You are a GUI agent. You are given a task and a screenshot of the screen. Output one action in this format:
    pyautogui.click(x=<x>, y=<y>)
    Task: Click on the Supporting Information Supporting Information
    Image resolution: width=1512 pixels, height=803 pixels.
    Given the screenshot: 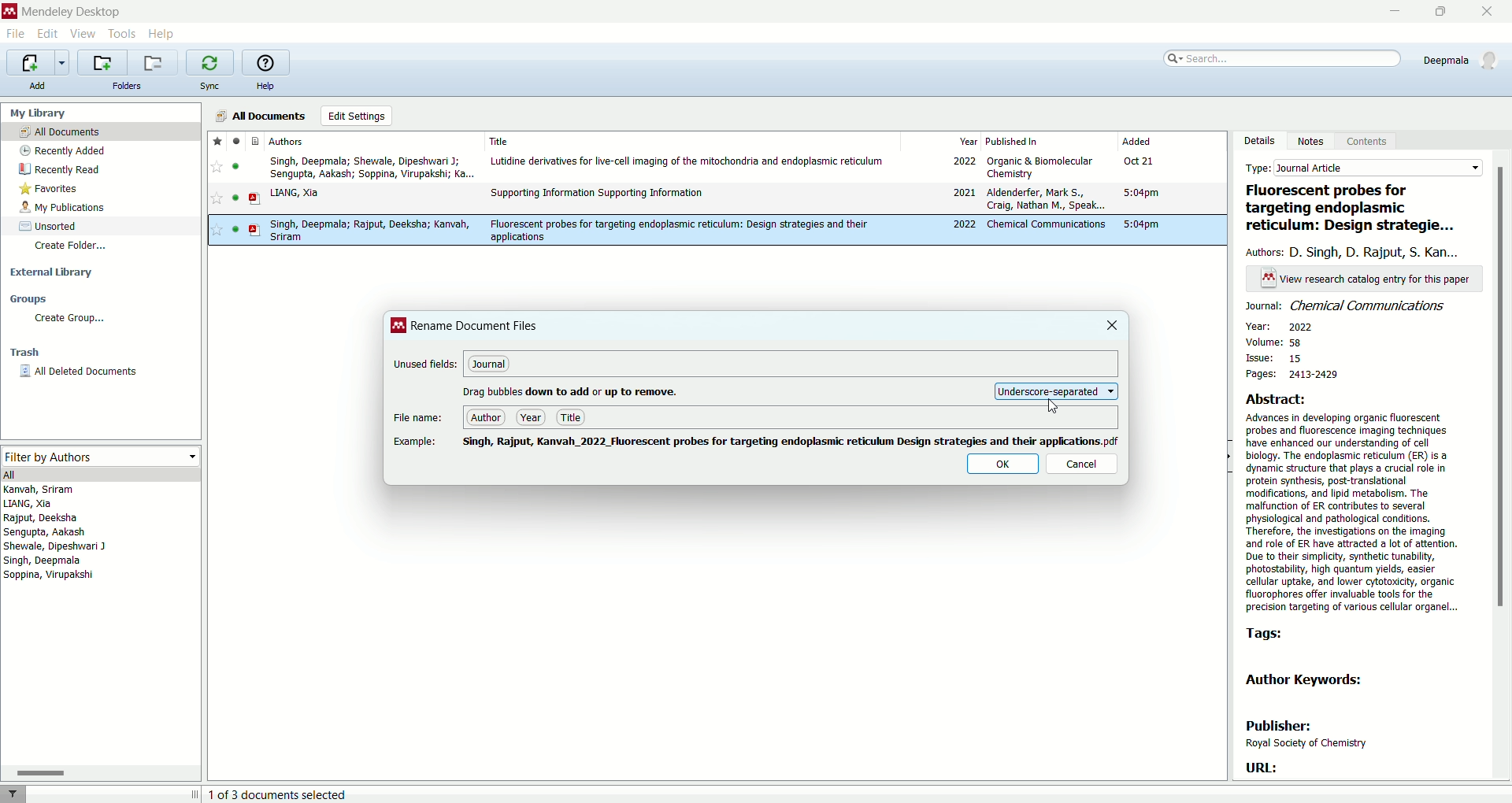 What is the action you would take?
    pyautogui.click(x=598, y=194)
    